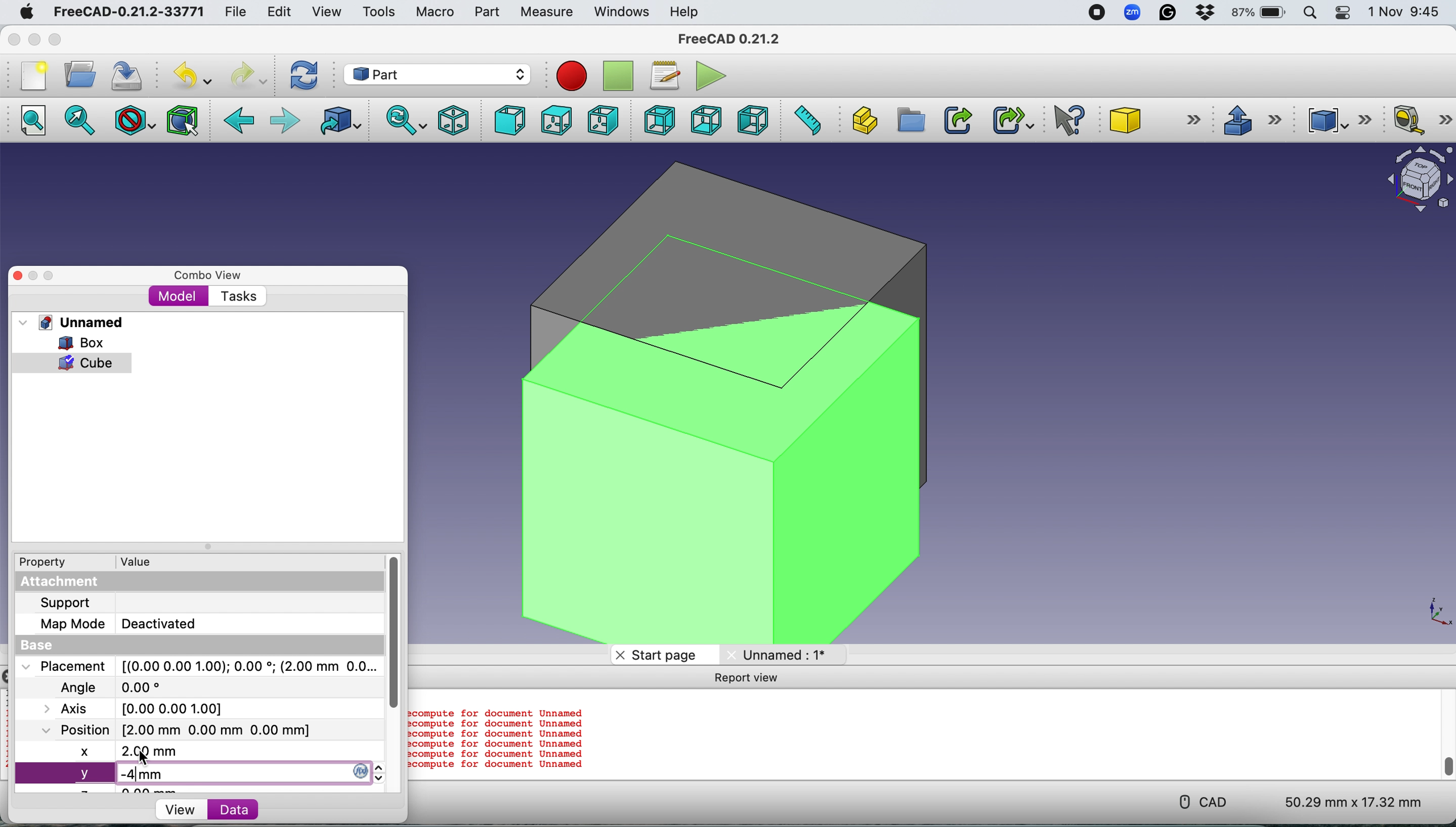  What do you see at coordinates (37, 562) in the screenshot?
I see `Property` at bounding box center [37, 562].